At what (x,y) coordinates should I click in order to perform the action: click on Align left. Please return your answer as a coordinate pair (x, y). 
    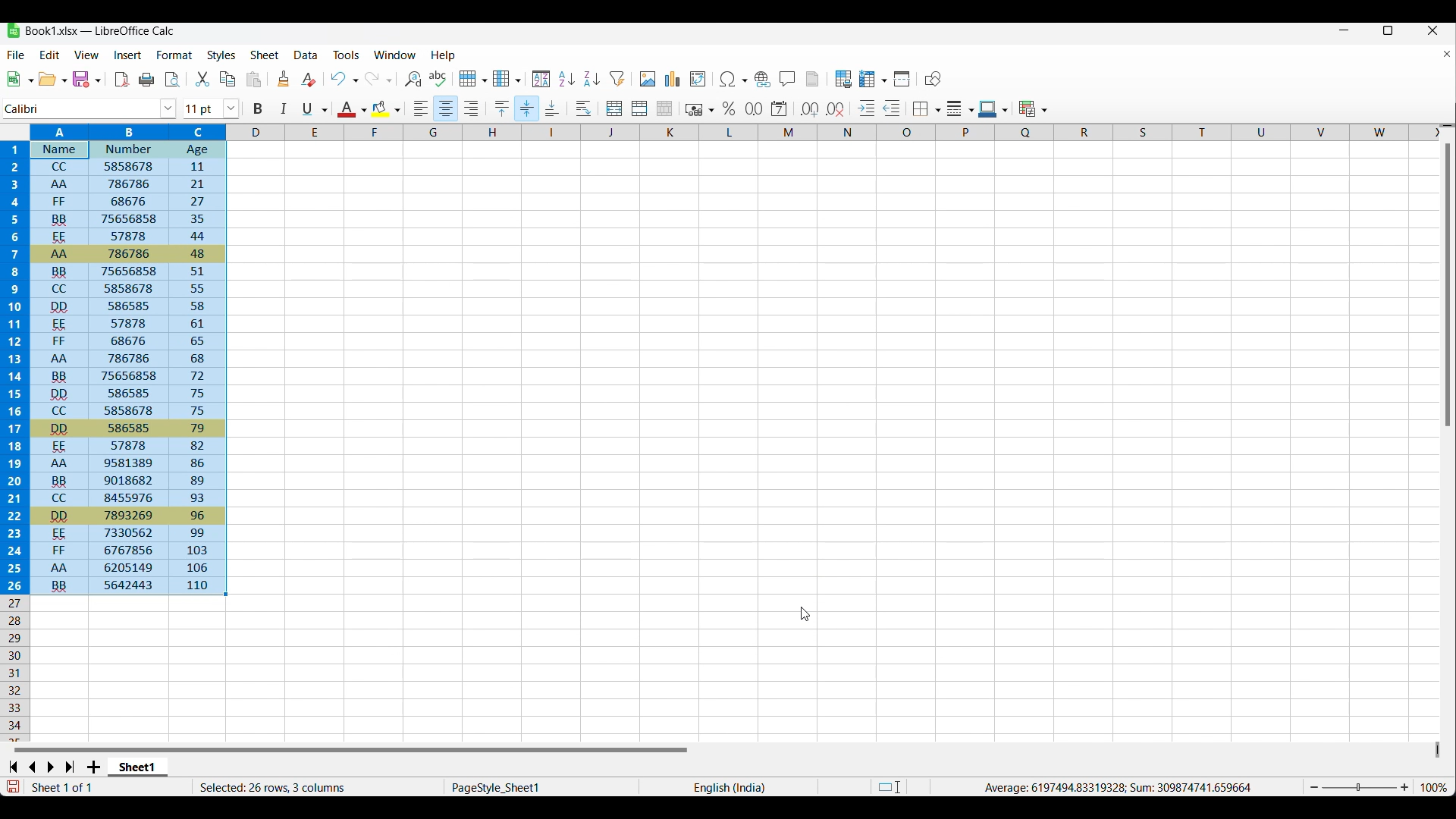
    Looking at the image, I should click on (422, 108).